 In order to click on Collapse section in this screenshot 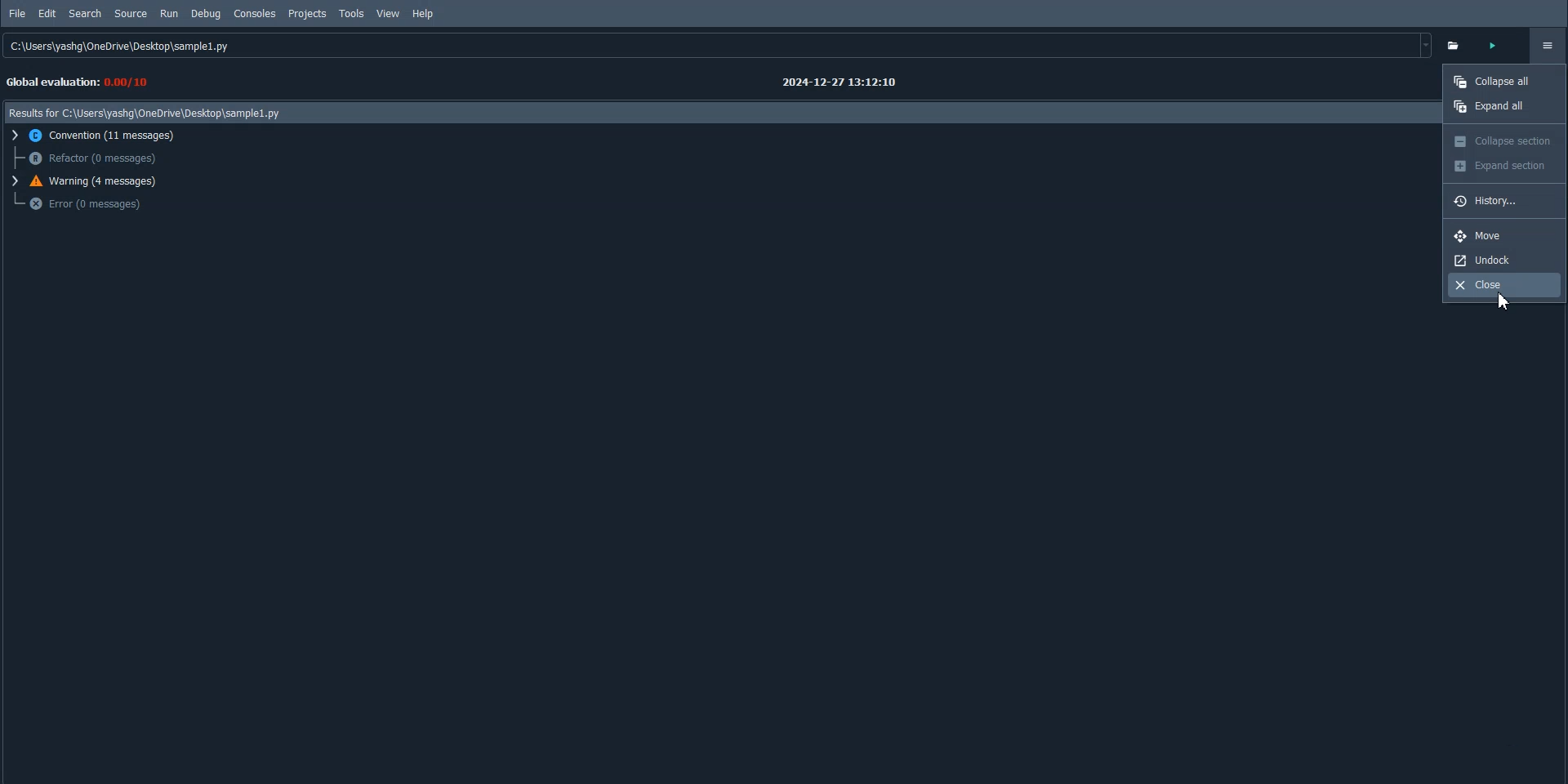, I will do `click(1504, 141)`.